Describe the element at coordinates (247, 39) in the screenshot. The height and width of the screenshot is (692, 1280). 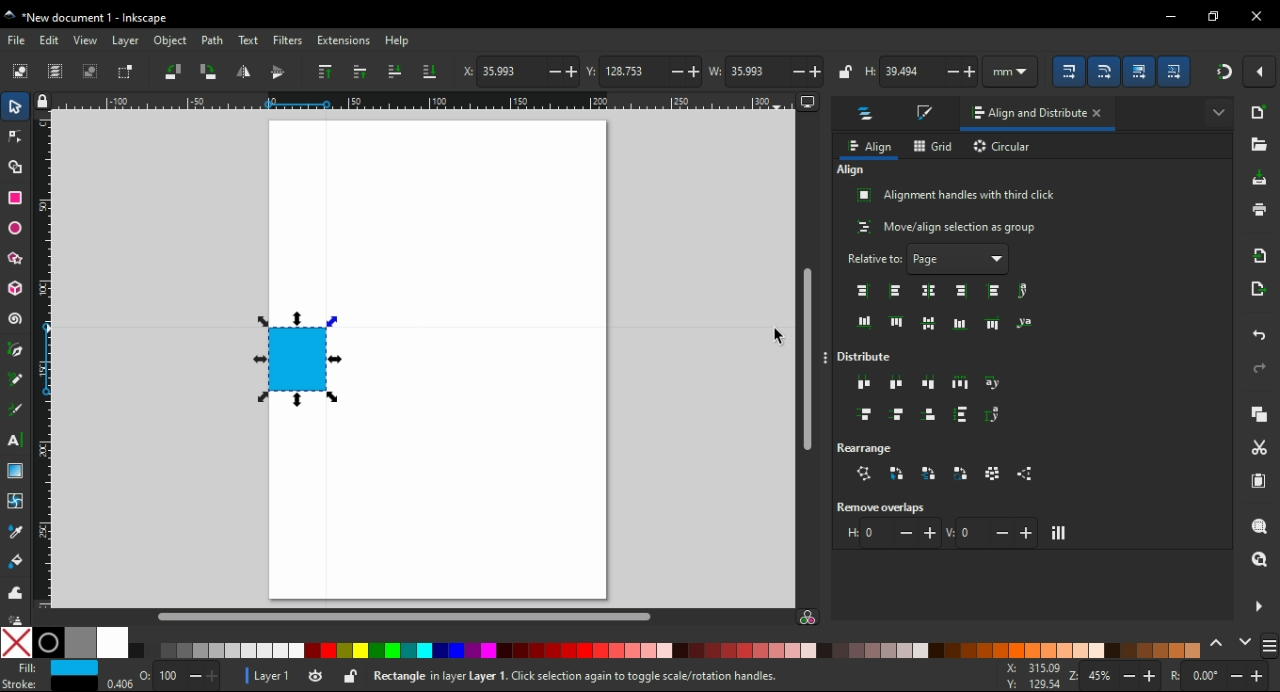
I see `text` at that location.